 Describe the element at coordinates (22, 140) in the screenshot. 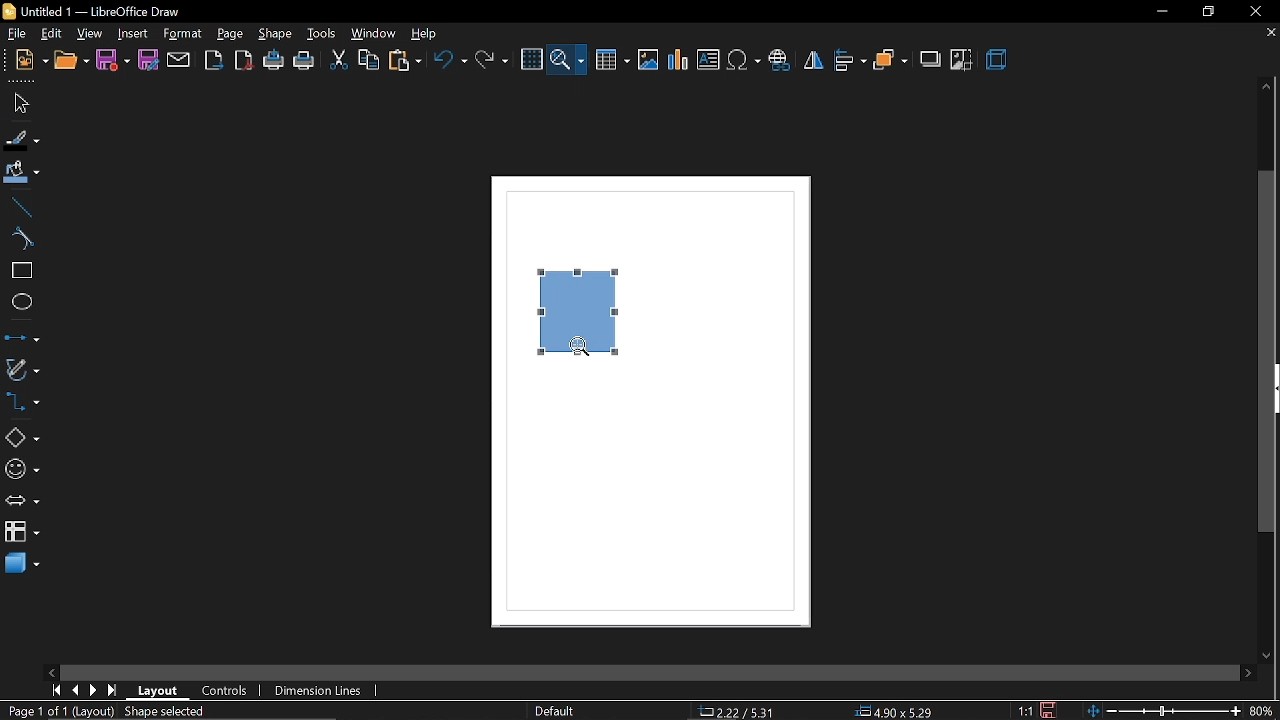

I see `fill line` at that location.